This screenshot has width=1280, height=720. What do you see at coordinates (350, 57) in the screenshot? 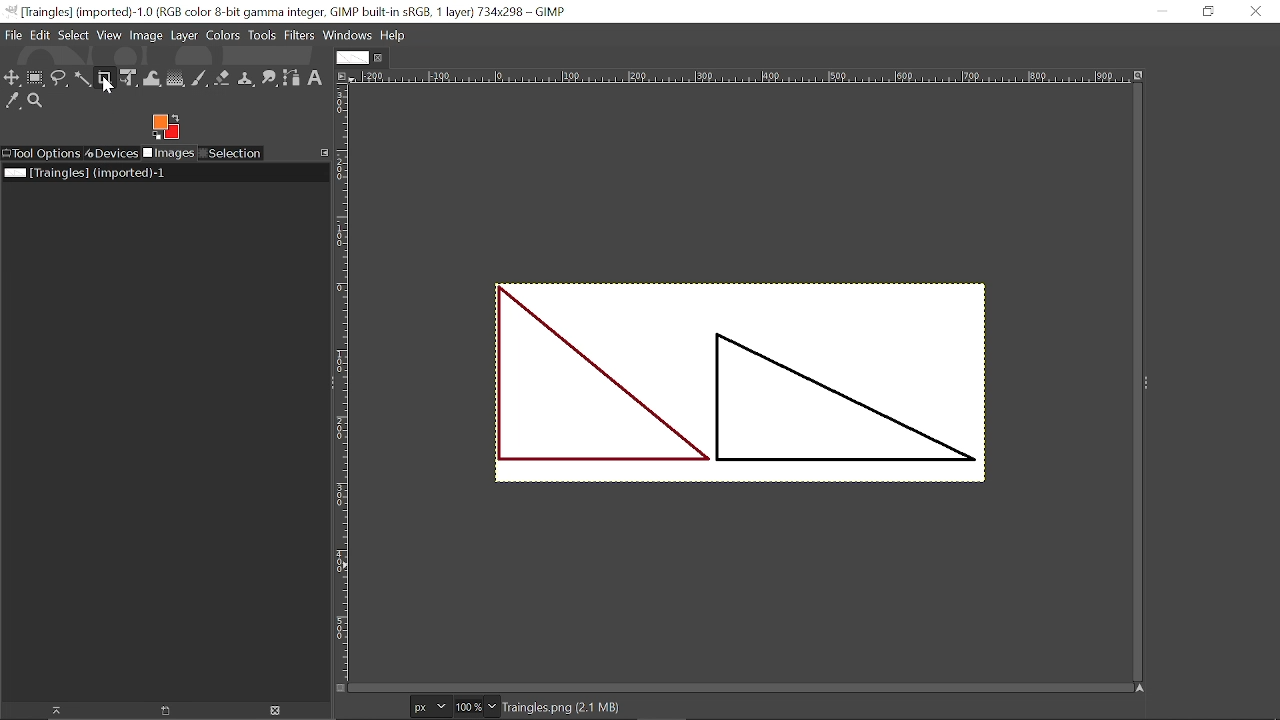
I see `Current tab` at bounding box center [350, 57].